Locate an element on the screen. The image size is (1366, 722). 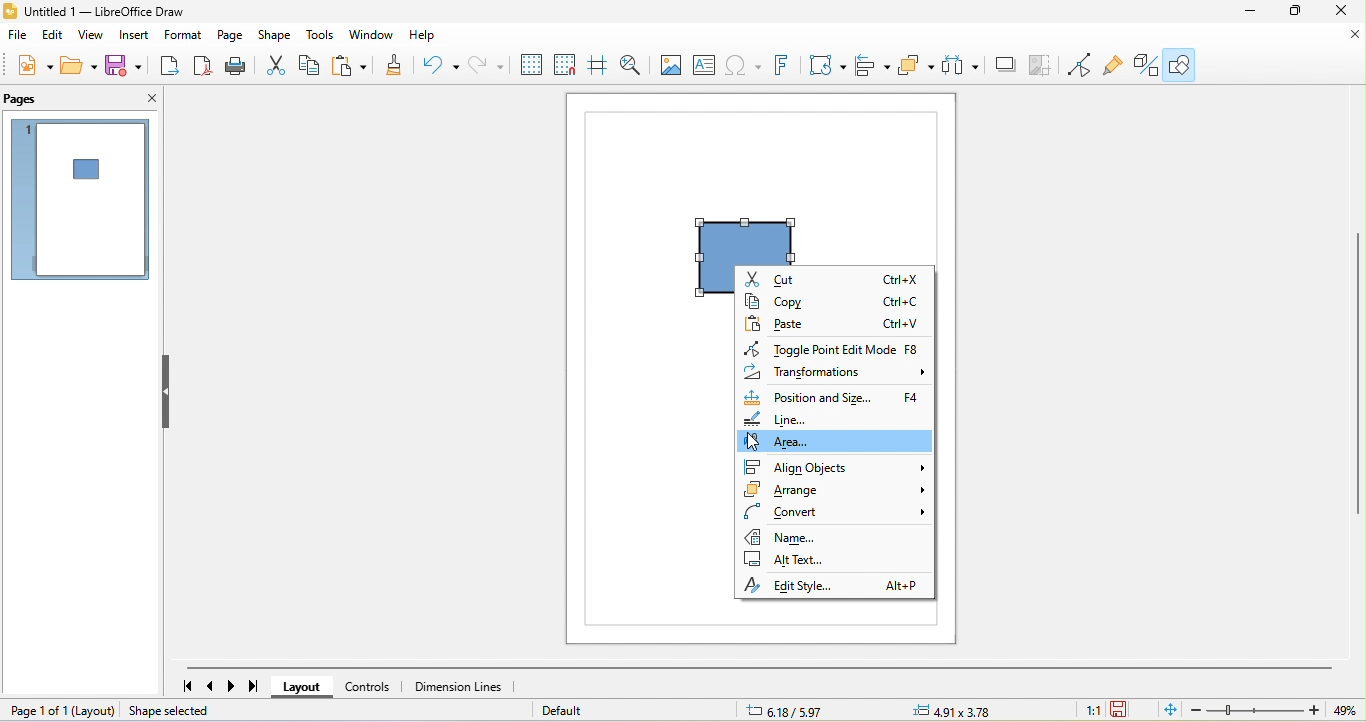
tools is located at coordinates (320, 37).